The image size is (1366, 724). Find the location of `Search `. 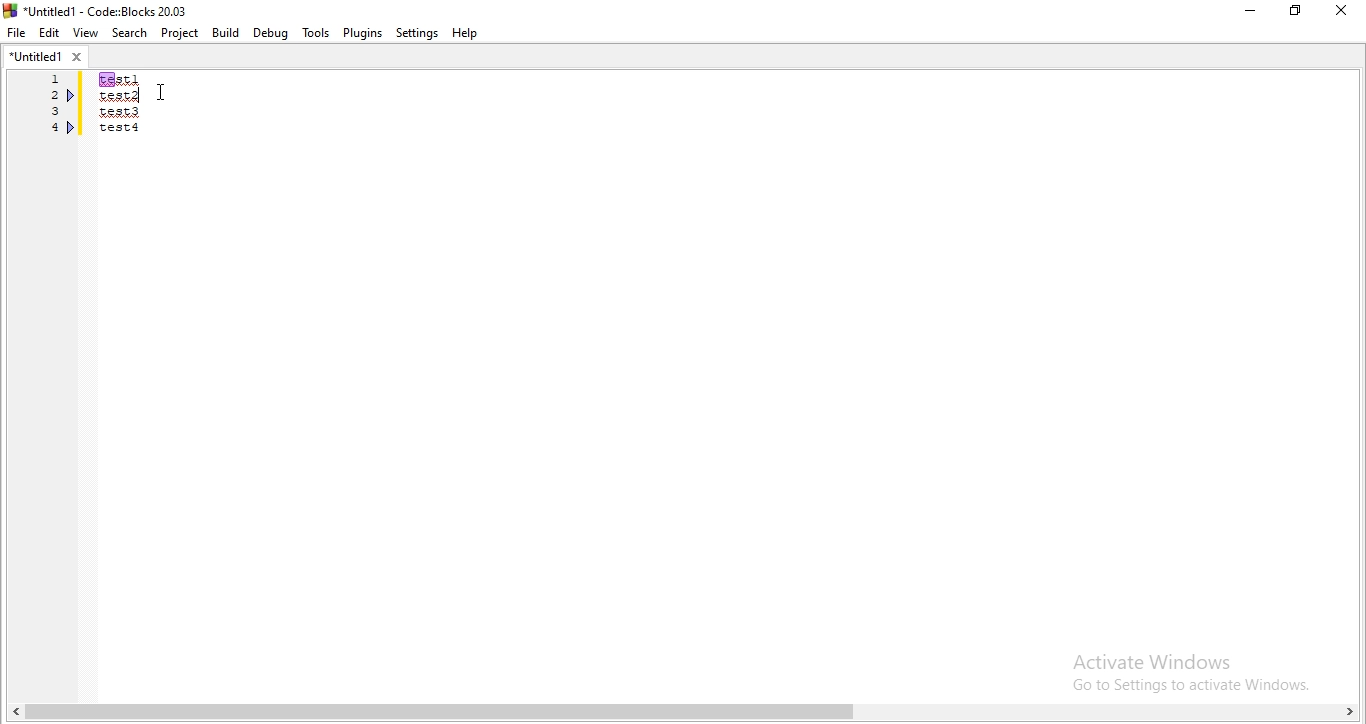

Search  is located at coordinates (127, 32).